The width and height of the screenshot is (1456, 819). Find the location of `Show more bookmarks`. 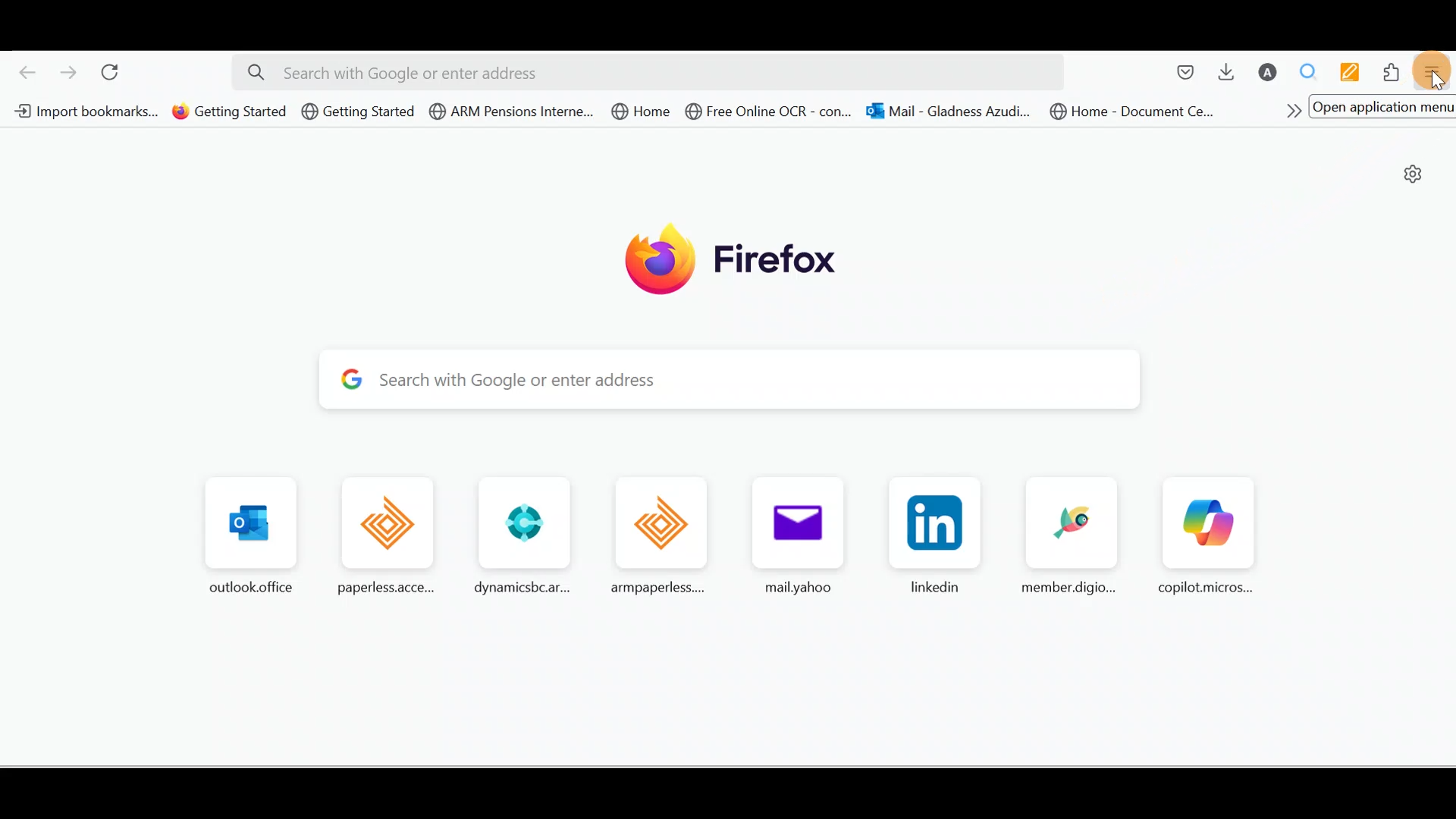

Show more bookmarks is located at coordinates (1288, 108).